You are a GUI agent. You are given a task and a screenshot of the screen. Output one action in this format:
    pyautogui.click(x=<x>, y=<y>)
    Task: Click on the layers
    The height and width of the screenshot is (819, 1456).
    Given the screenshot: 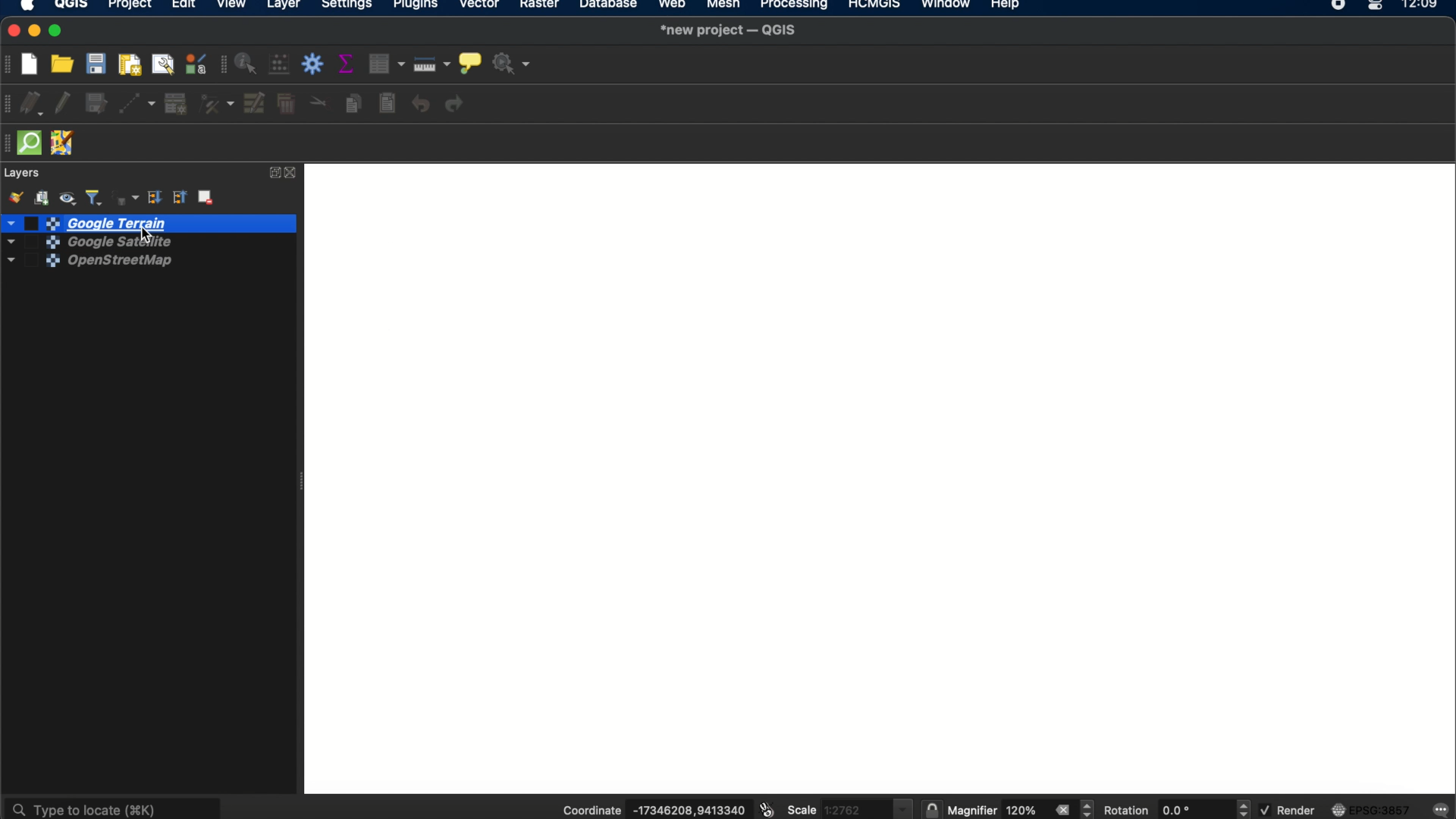 What is the action you would take?
    pyautogui.click(x=24, y=173)
    